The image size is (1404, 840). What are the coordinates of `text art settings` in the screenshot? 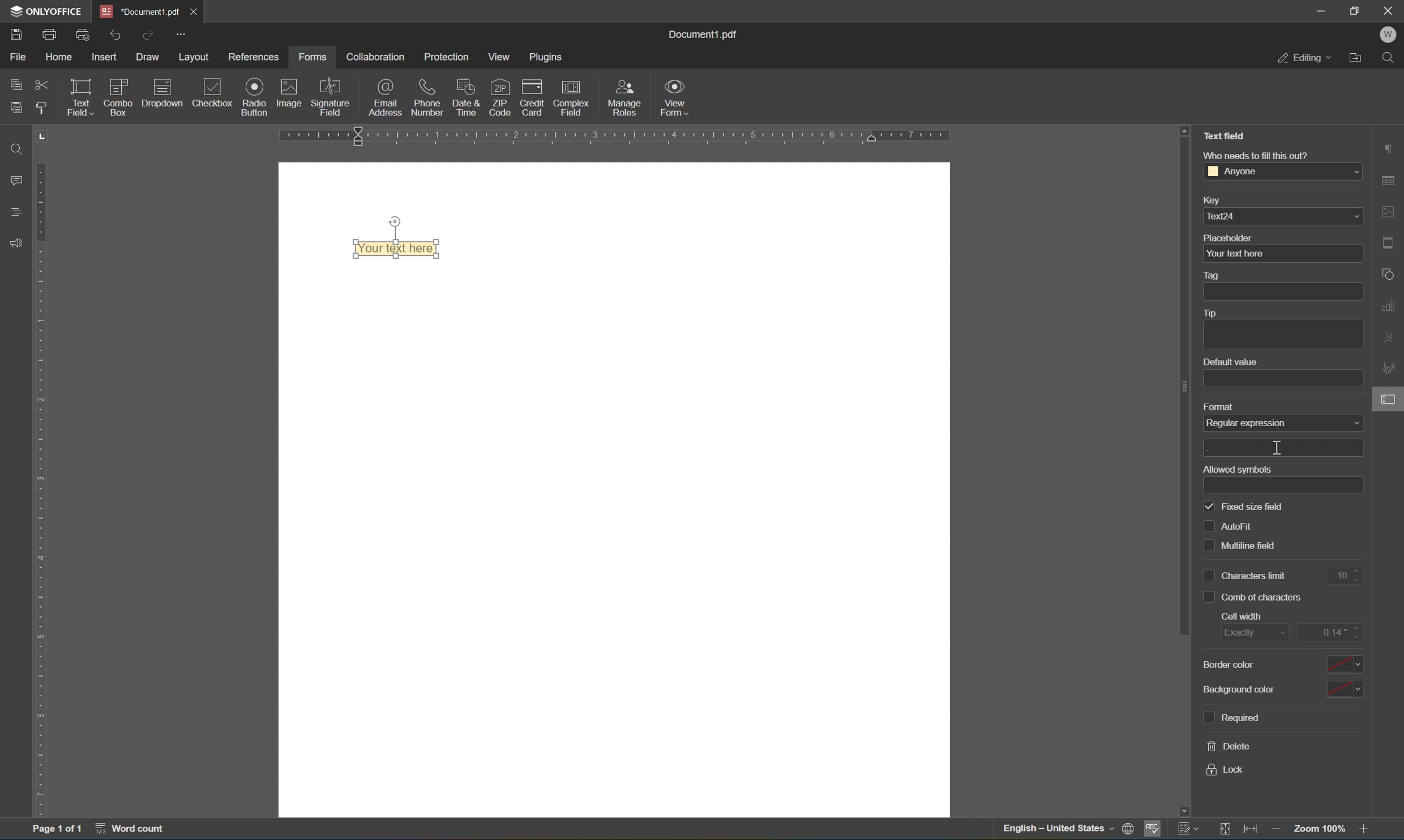 It's located at (1390, 335).